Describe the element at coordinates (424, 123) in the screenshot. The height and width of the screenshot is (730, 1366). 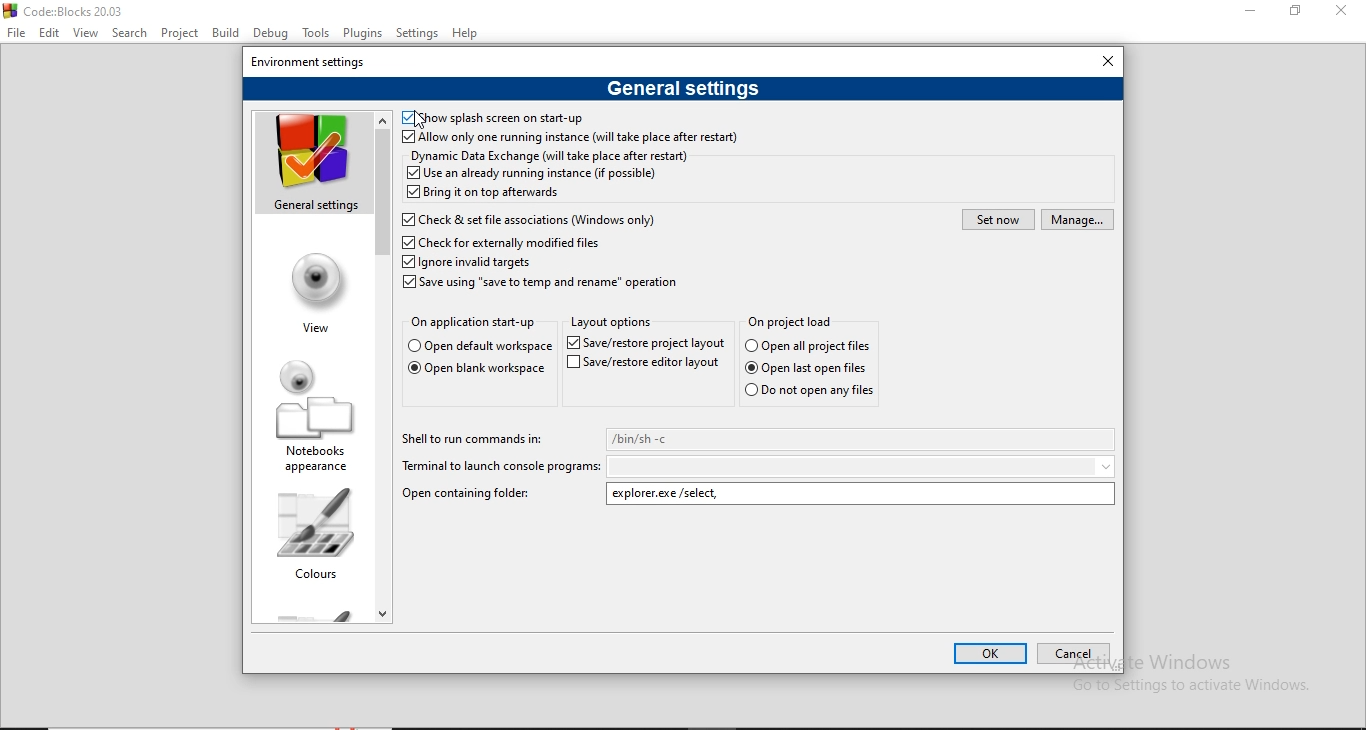
I see `Cursor ` at that location.